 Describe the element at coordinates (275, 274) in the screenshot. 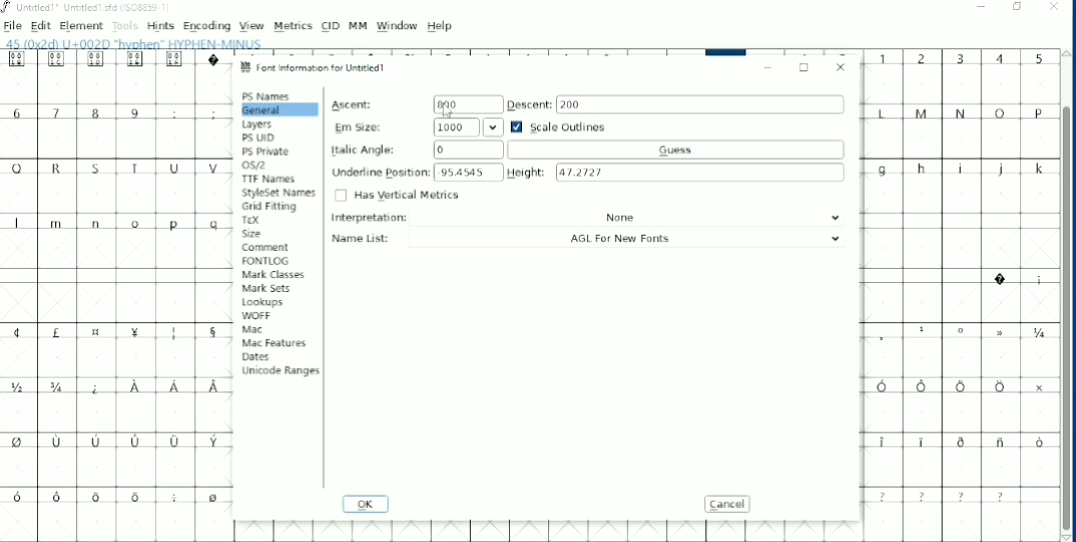

I see `Mark Classes` at that location.